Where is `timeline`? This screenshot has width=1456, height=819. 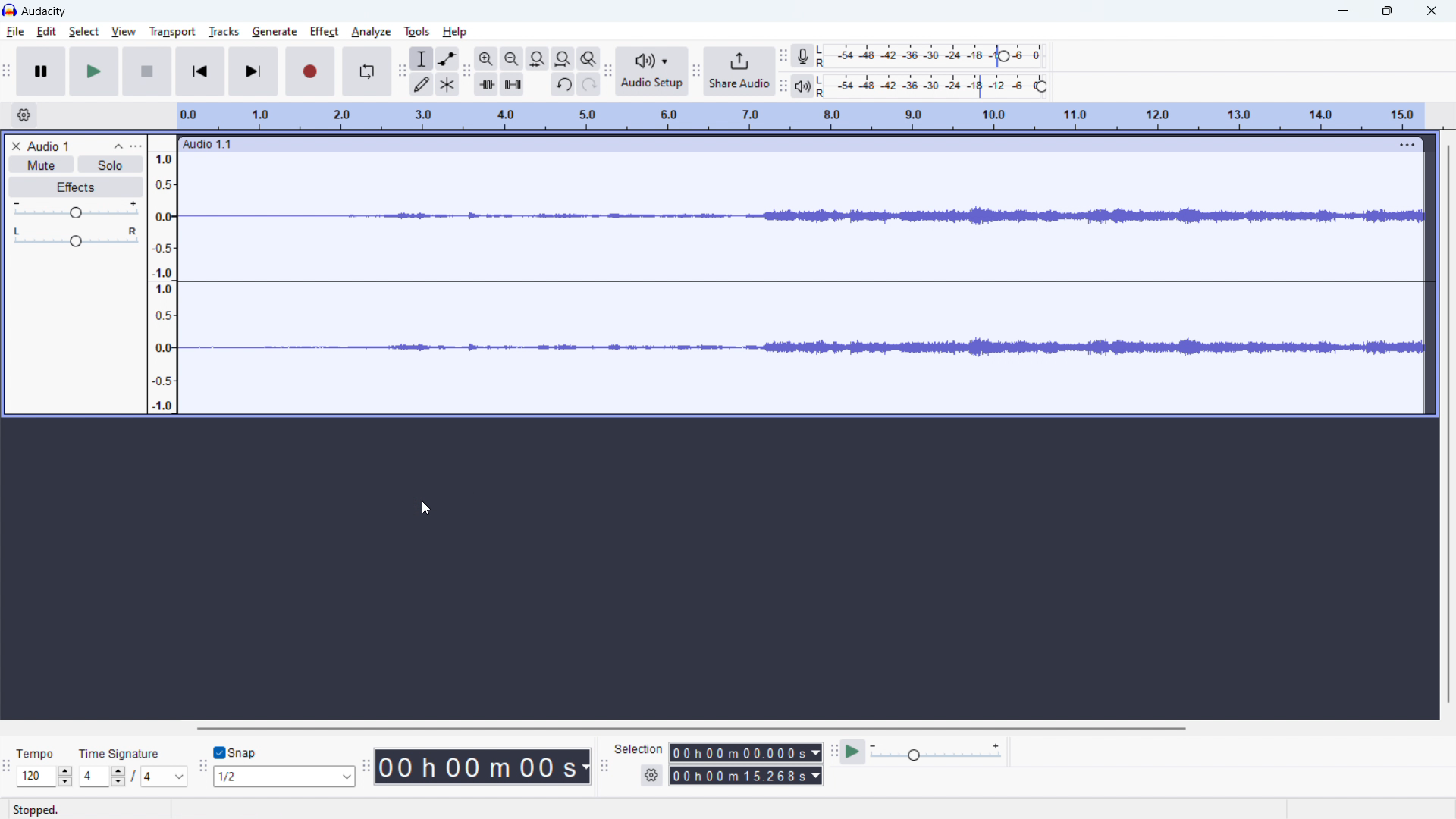 timeline is located at coordinates (802, 115).